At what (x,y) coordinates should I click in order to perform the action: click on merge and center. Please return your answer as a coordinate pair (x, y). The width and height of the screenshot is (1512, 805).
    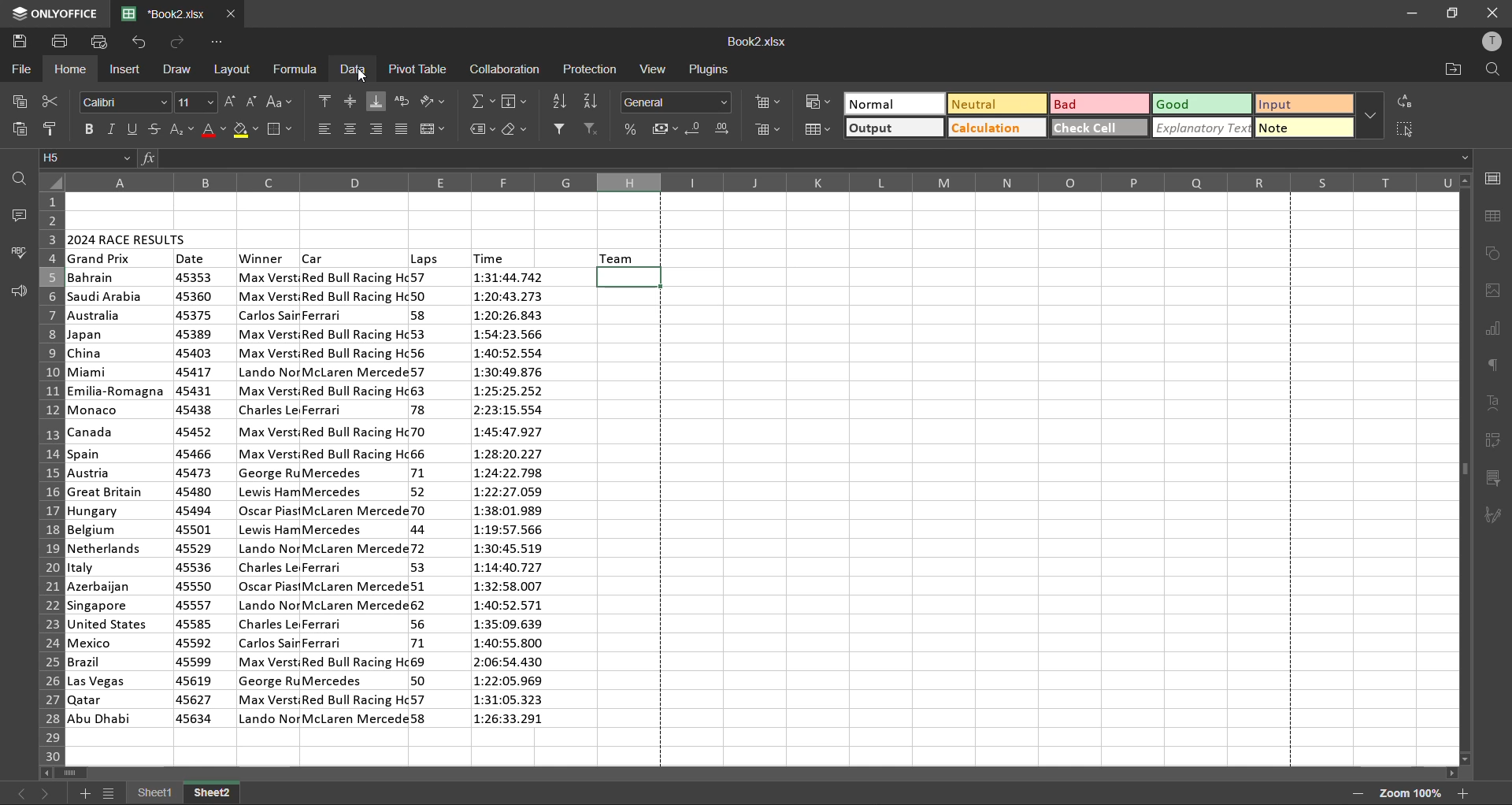
    Looking at the image, I should click on (430, 128).